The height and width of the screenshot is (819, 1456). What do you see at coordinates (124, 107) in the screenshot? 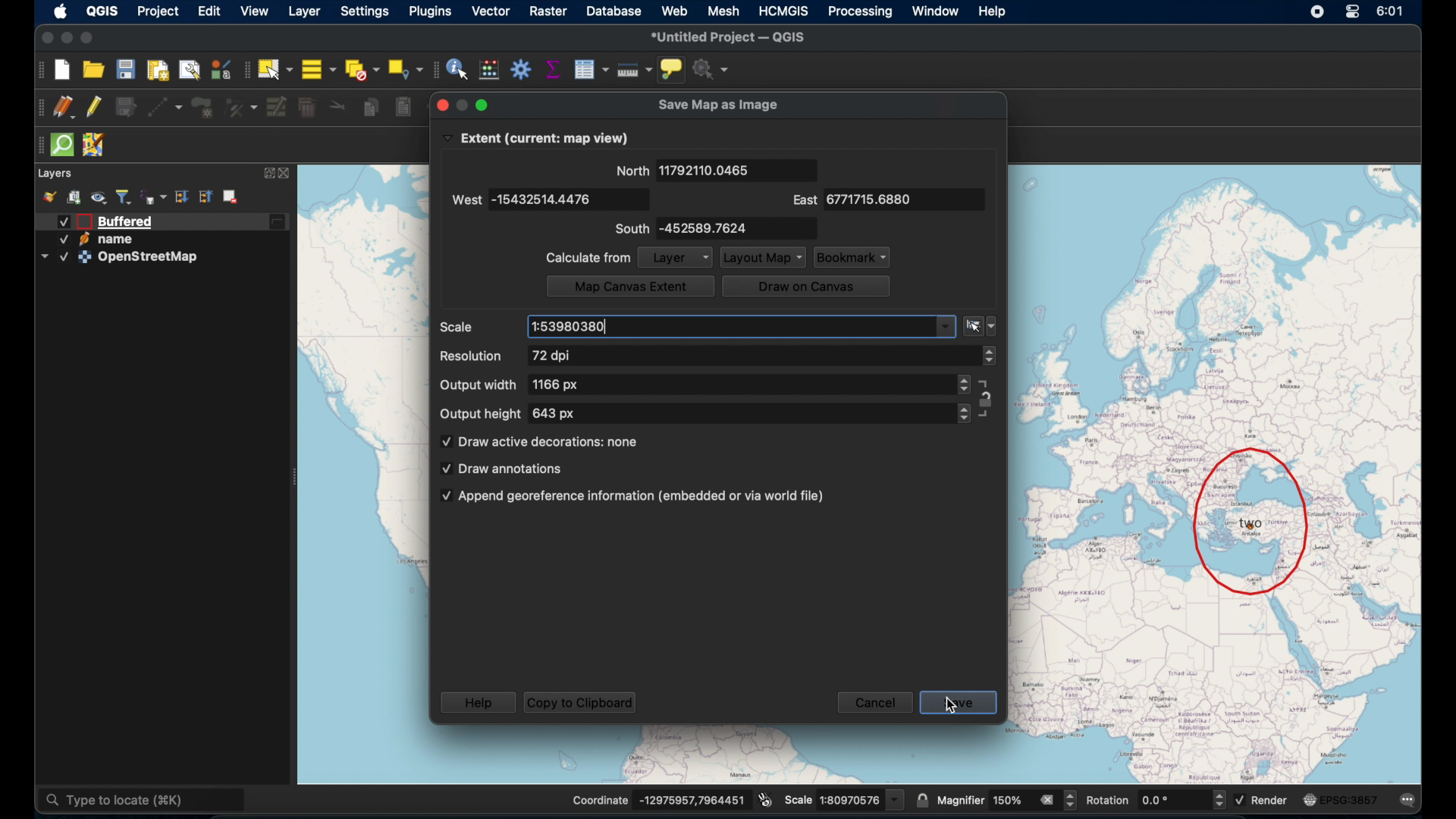
I see `save edits` at bounding box center [124, 107].